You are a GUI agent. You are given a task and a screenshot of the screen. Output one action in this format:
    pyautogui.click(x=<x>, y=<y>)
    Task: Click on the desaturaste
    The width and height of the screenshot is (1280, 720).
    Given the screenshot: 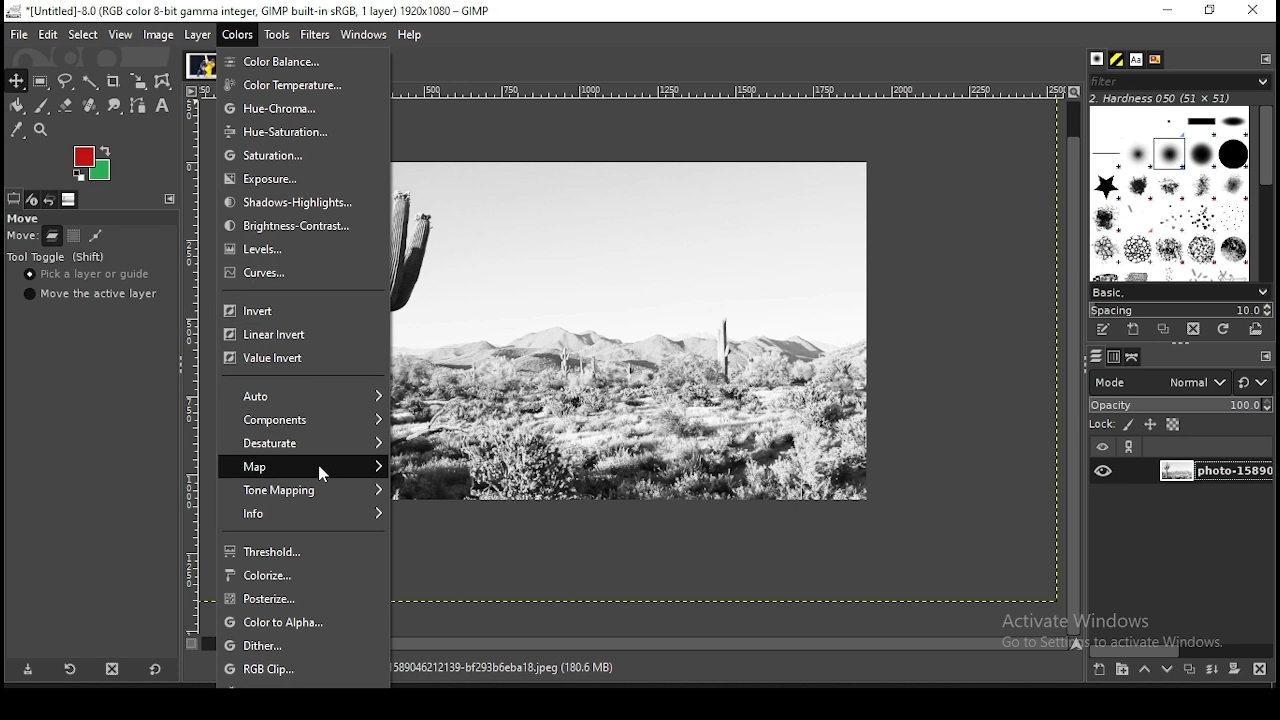 What is the action you would take?
    pyautogui.click(x=305, y=444)
    